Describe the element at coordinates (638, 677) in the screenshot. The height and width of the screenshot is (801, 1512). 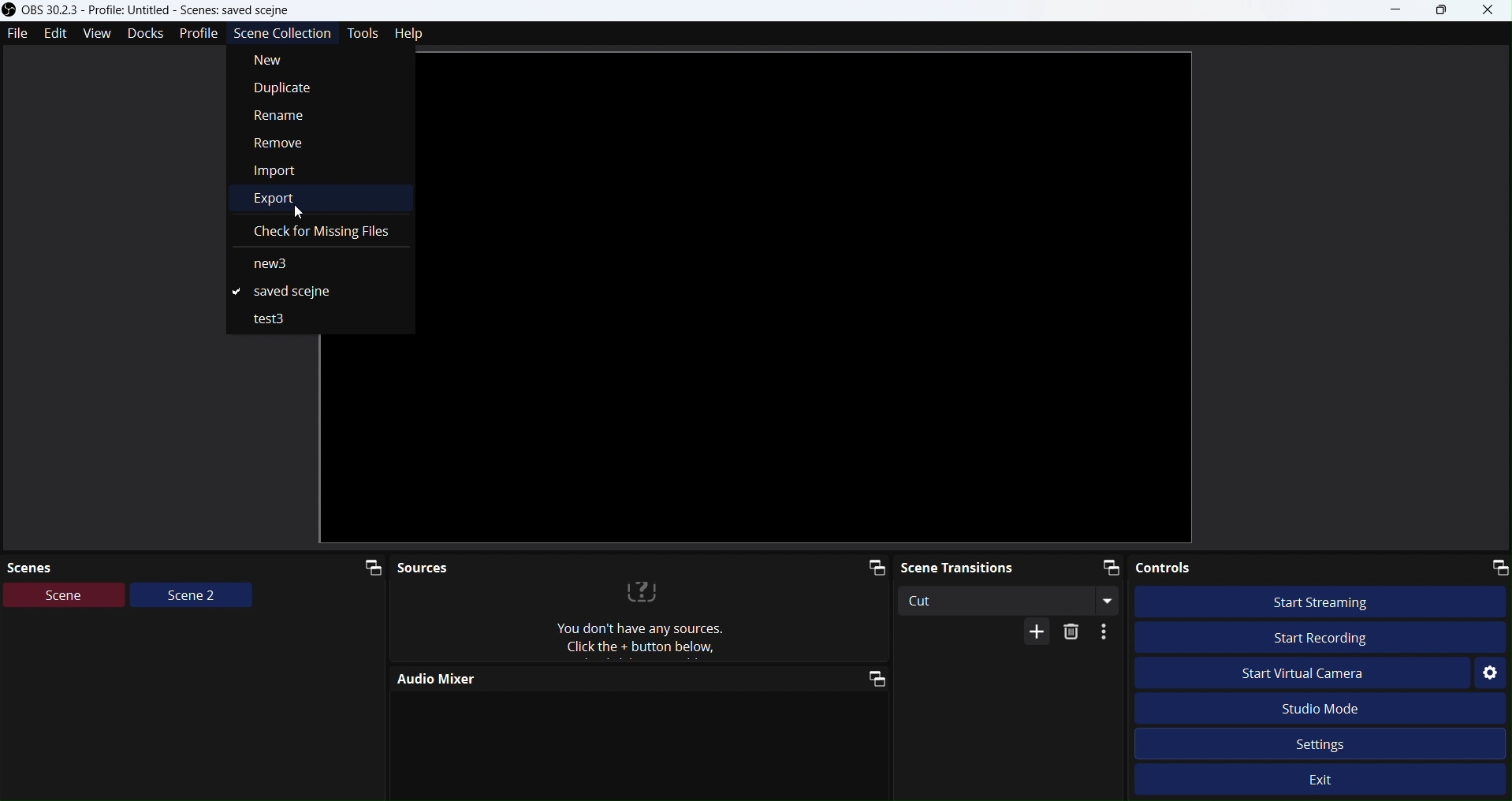
I see `Audio Mixer` at that location.